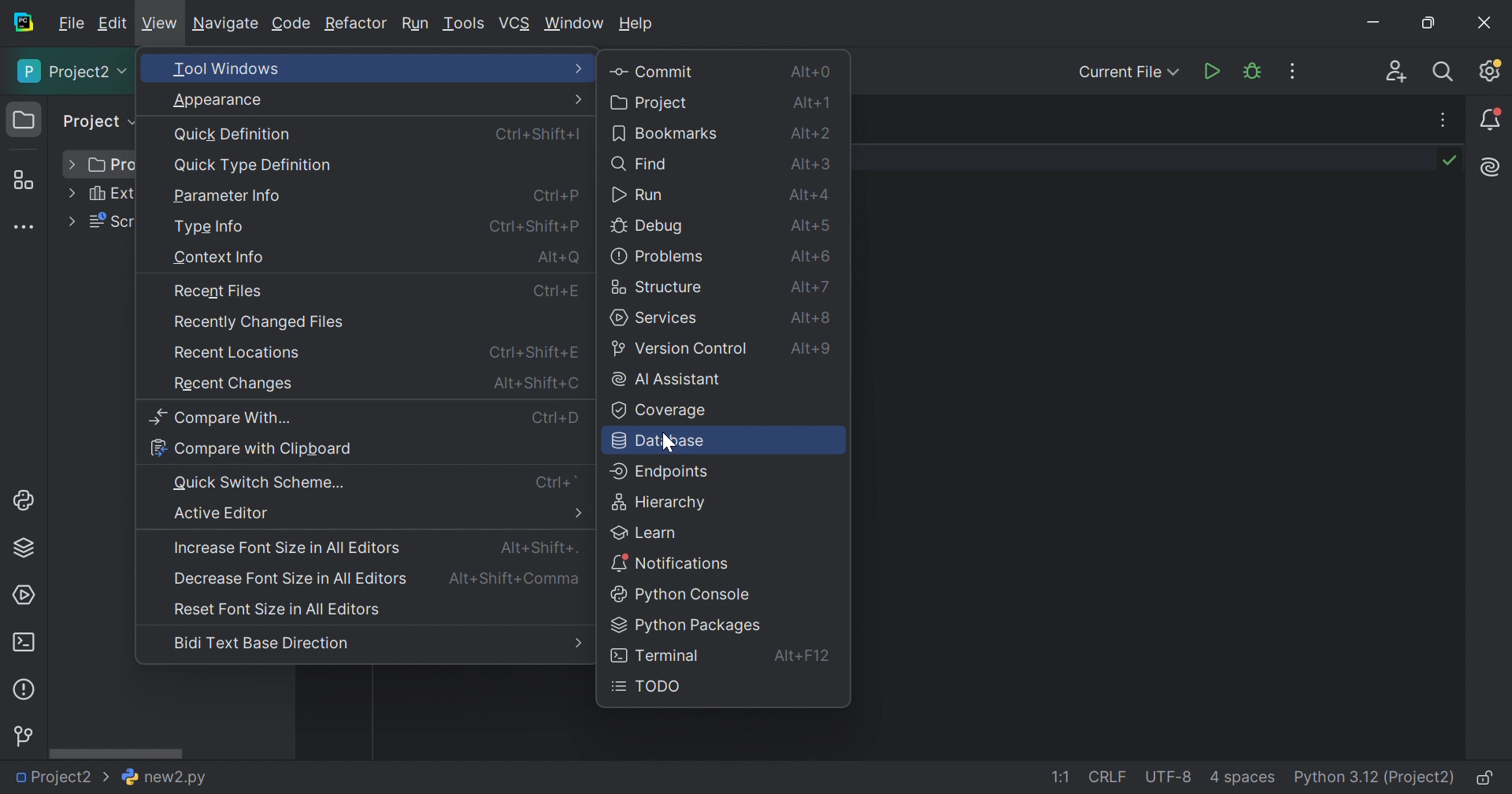 The width and height of the screenshot is (1512, 794). What do you see at coordinates (261, 646) in the screenshot?
I see `Bidi text base direction` at bounding box center [261, 646].